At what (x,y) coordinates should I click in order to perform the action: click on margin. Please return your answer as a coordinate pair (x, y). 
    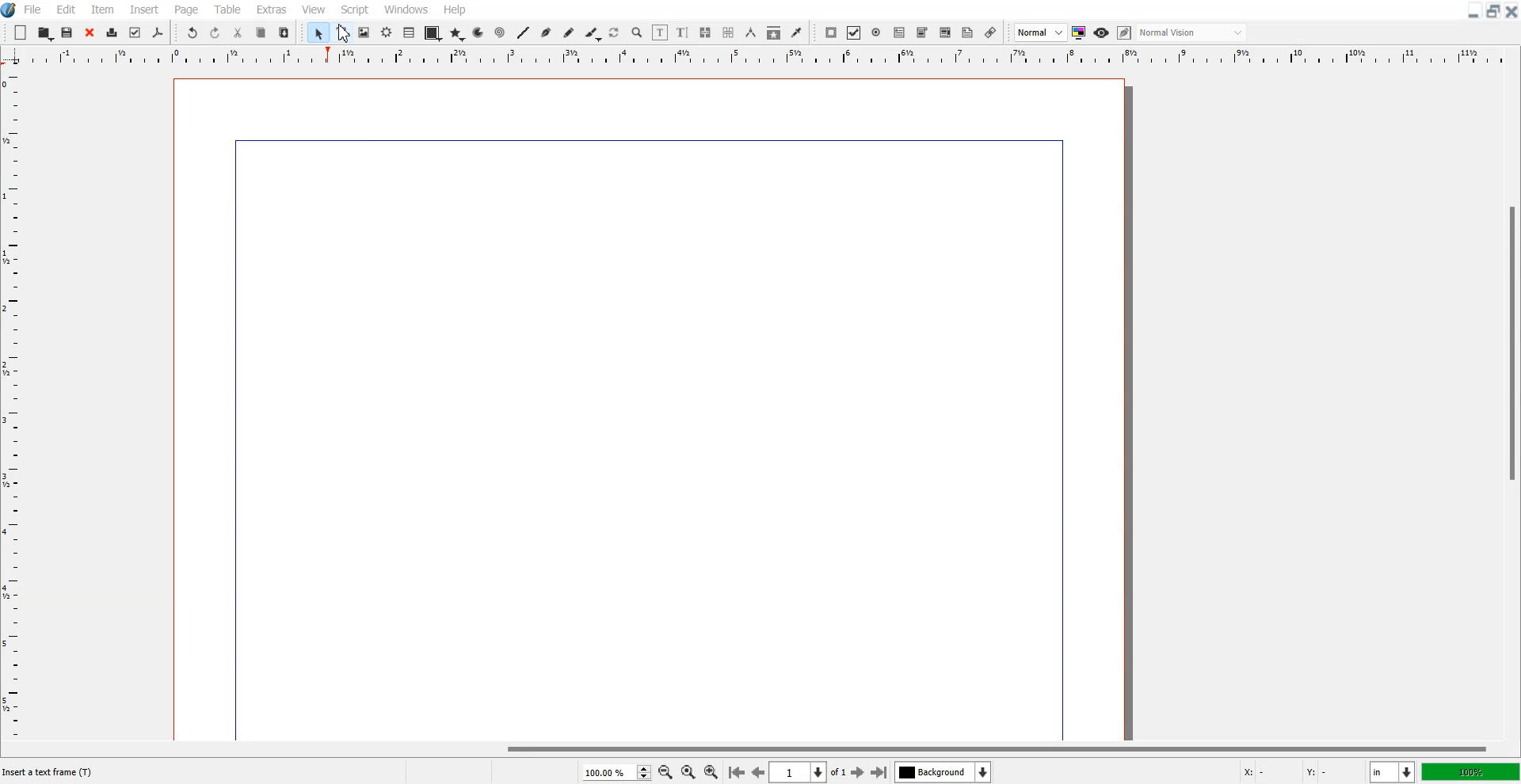
    Looking at the image, I should click on (1065, 437).